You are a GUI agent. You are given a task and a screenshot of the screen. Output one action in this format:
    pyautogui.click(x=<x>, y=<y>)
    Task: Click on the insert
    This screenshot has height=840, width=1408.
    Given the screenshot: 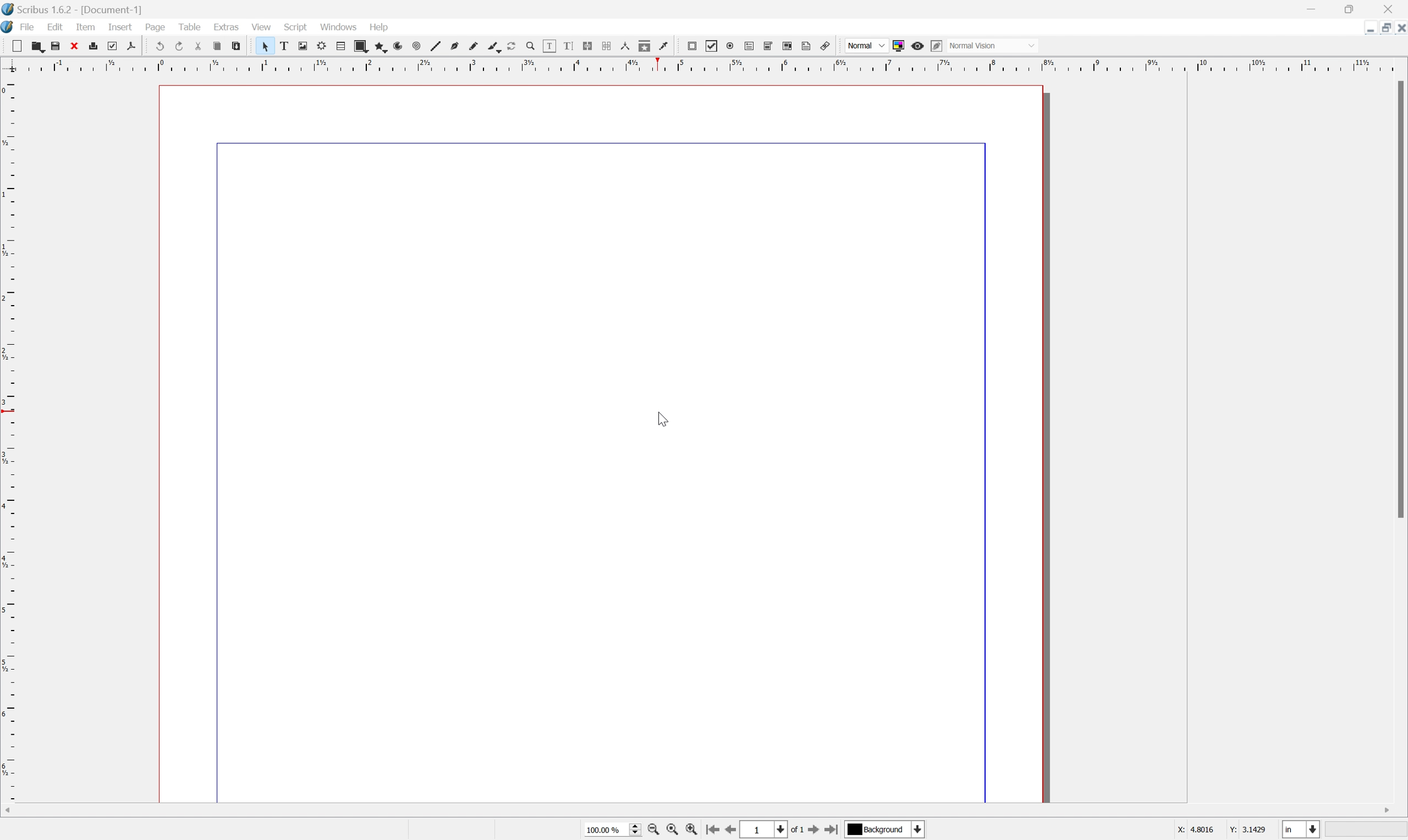 What is the action you would take?
    pyautogui.click(x=121, y=27)
    